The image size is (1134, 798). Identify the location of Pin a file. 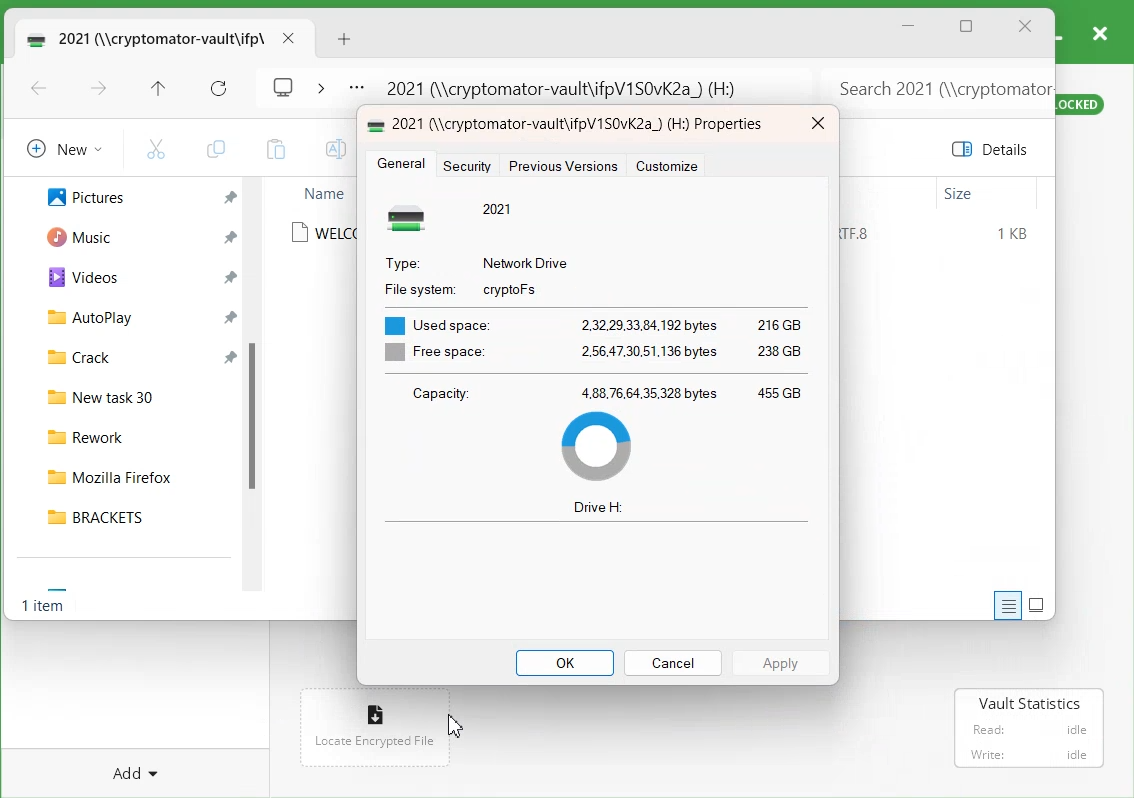
(231, 198).